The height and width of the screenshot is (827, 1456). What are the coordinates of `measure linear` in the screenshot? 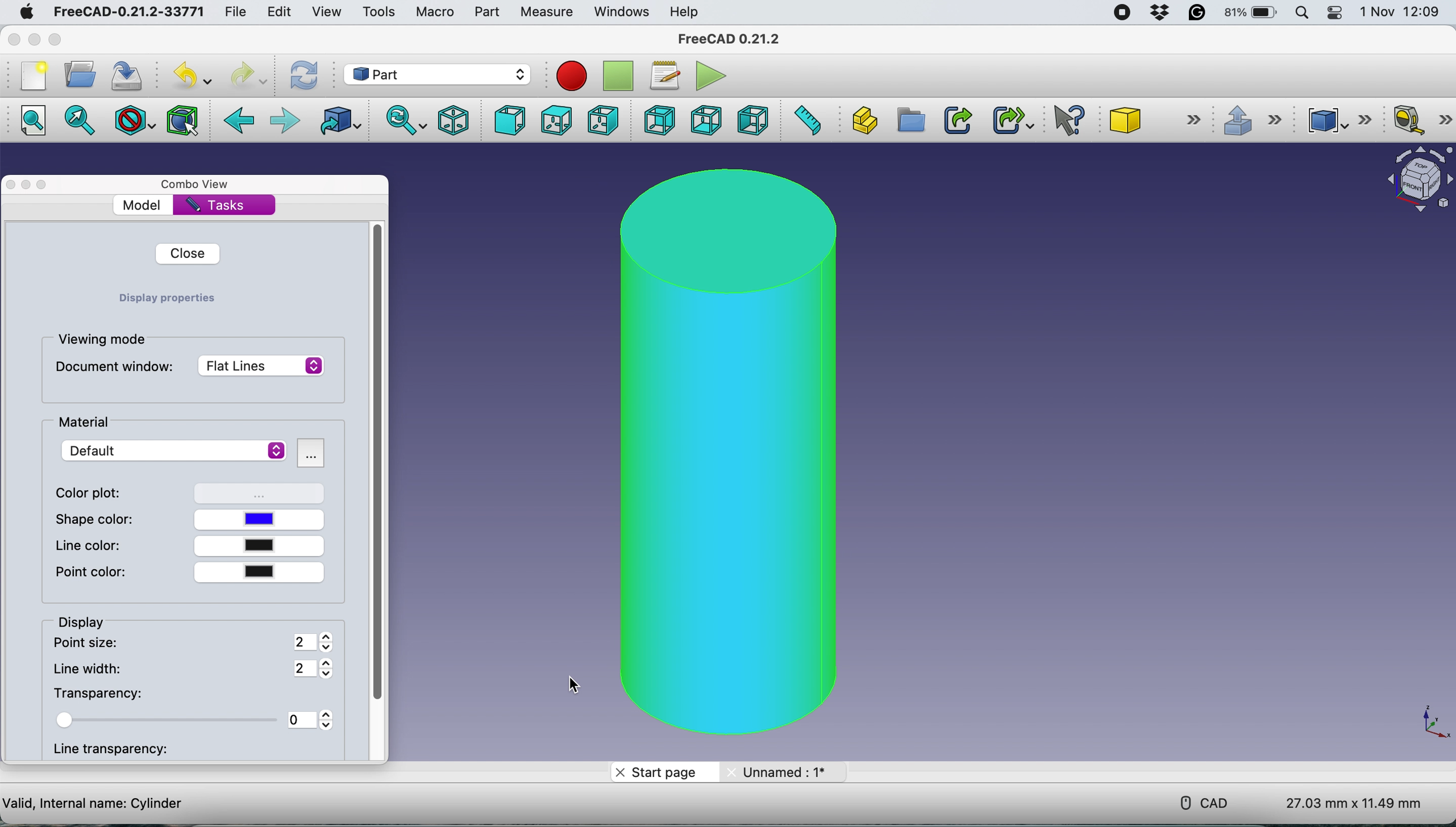 It's located at (1420, 121).